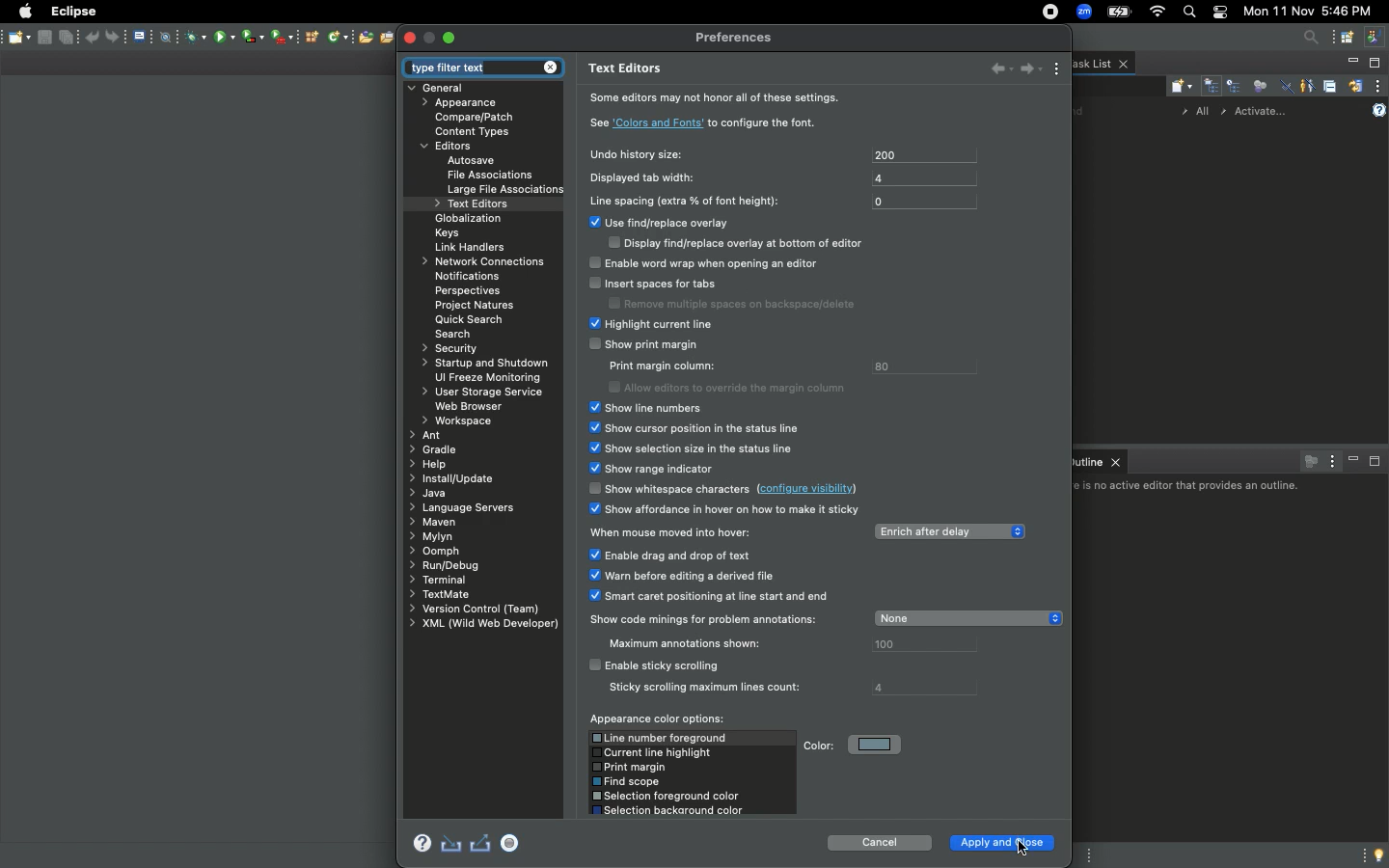  I want to click on Forward, so click(120, 37).